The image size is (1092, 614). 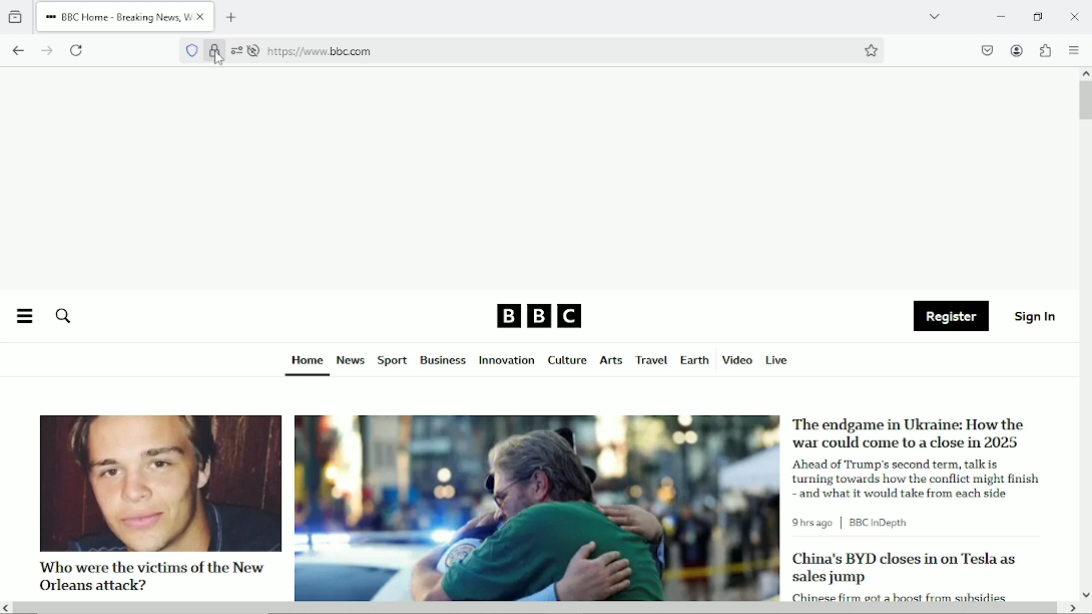 What do you see at coordinates (202, 16) in the screenshot?
I see `close` at bounding box center [202, 16].